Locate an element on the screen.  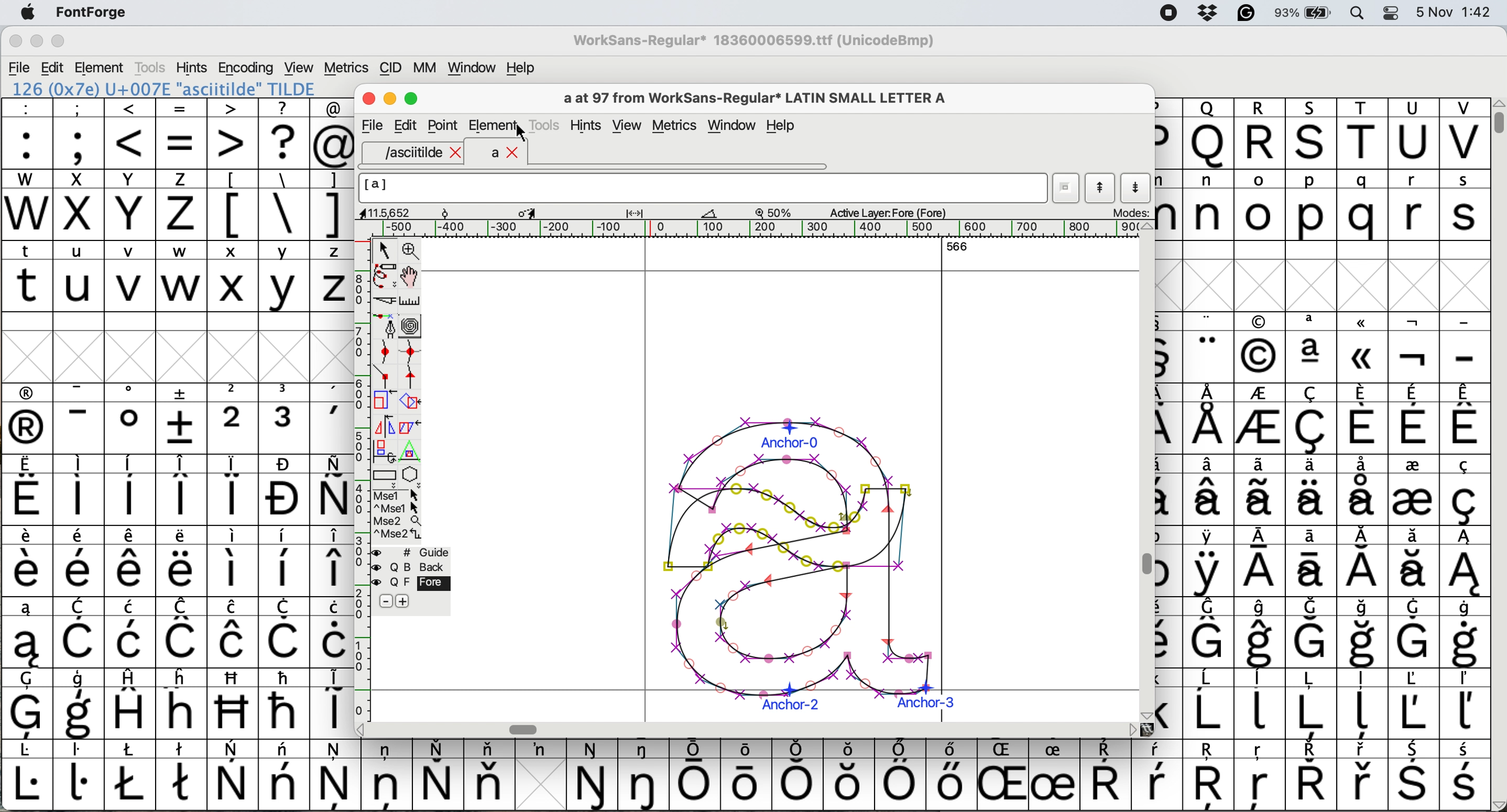
symbol is located at coordinates (284, 703).